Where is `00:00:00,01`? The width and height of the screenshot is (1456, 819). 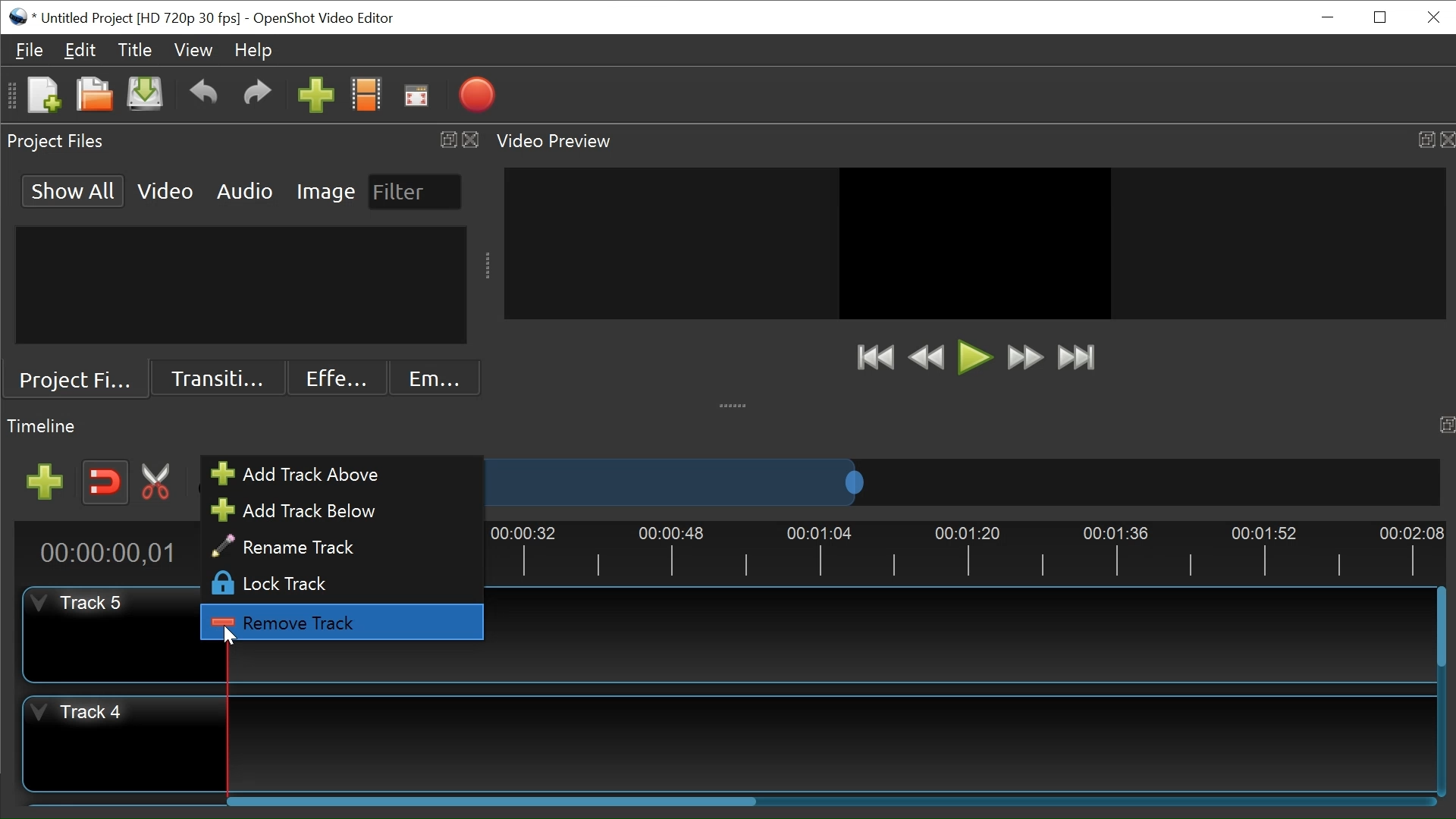
00:00:00,01 is located at coordinates (103, 552).